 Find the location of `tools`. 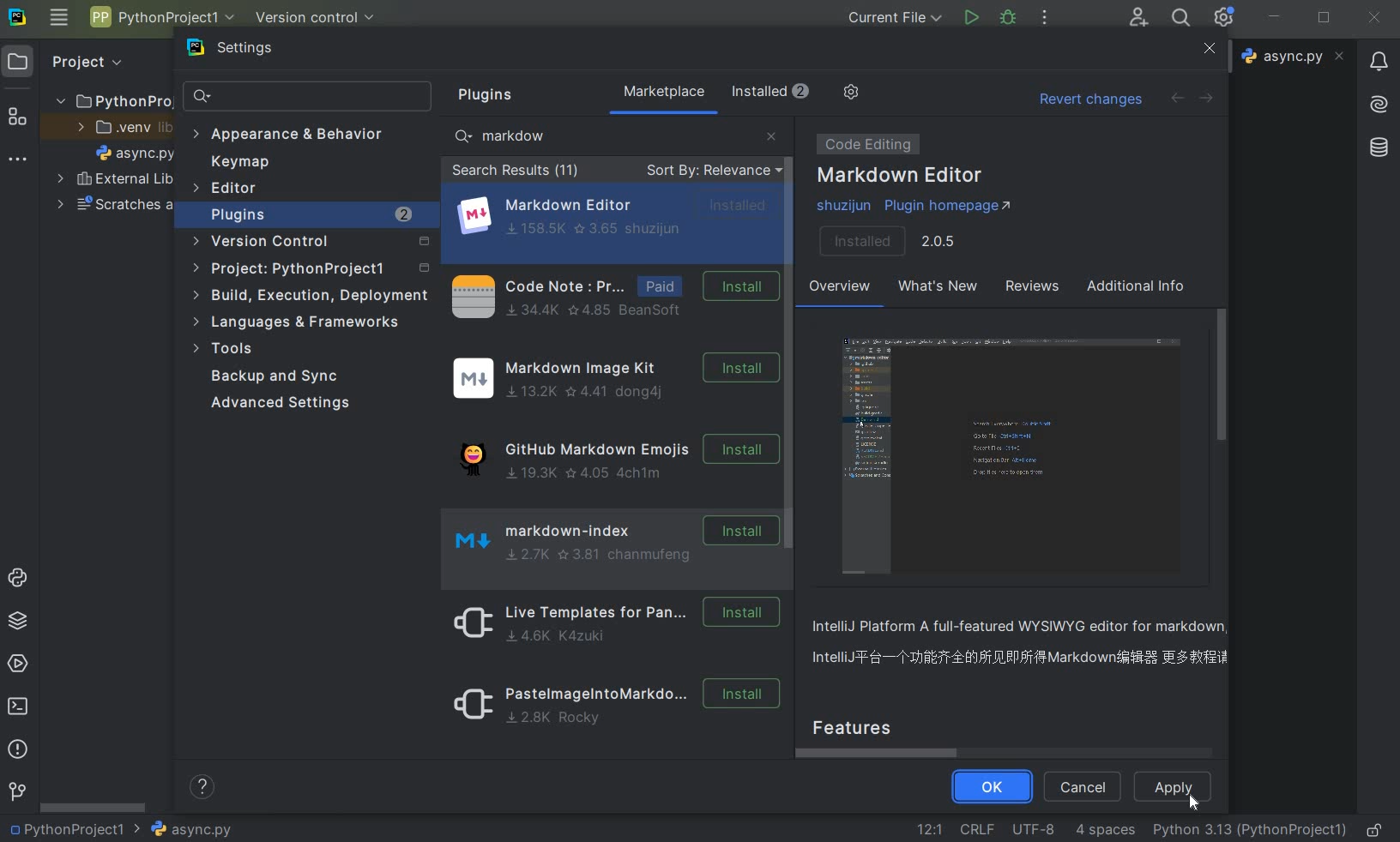

tools is located at coordinates (227, 351).